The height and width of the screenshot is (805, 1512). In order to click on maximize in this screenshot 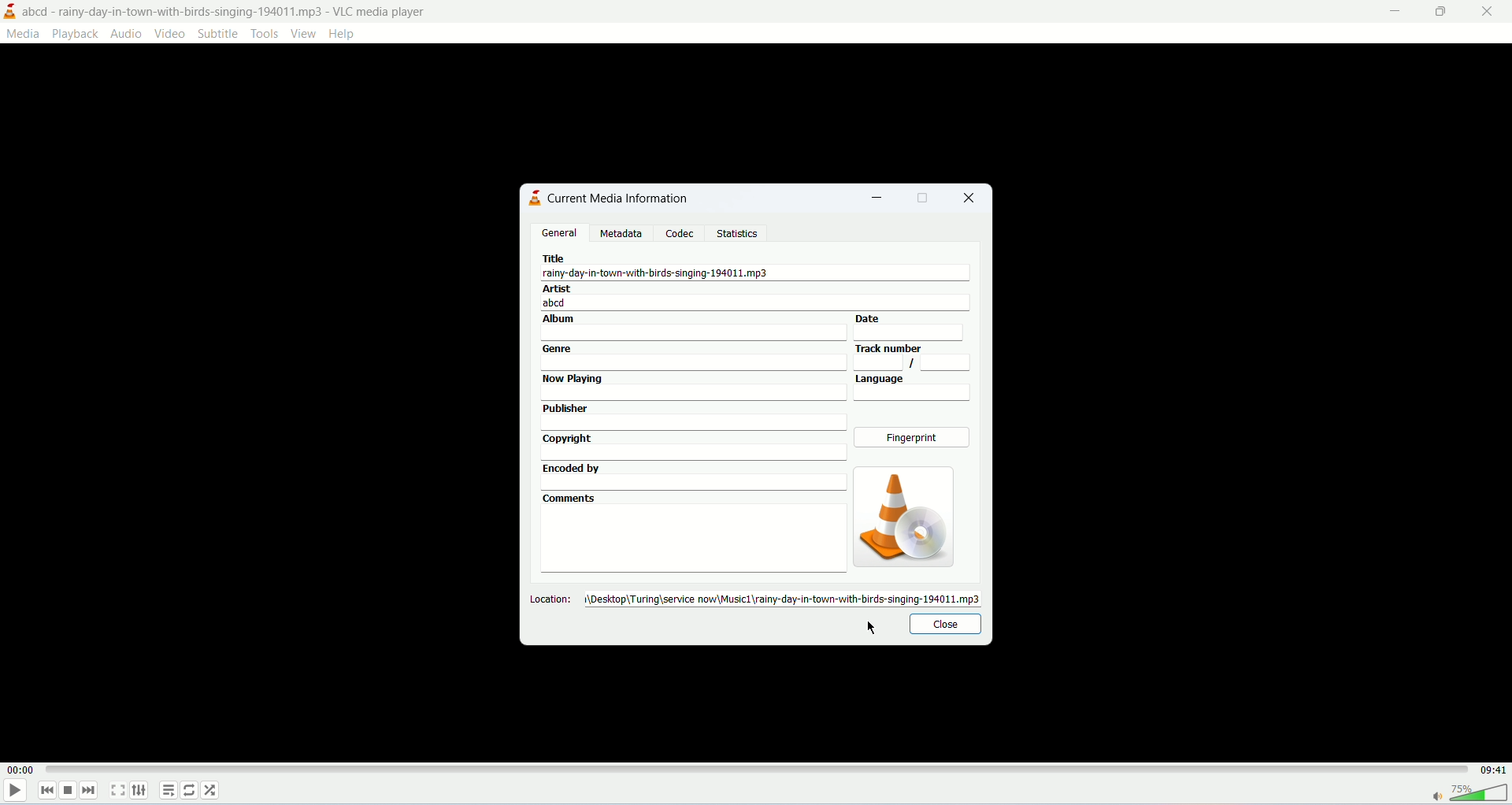, I will do `click(924, 198)`.